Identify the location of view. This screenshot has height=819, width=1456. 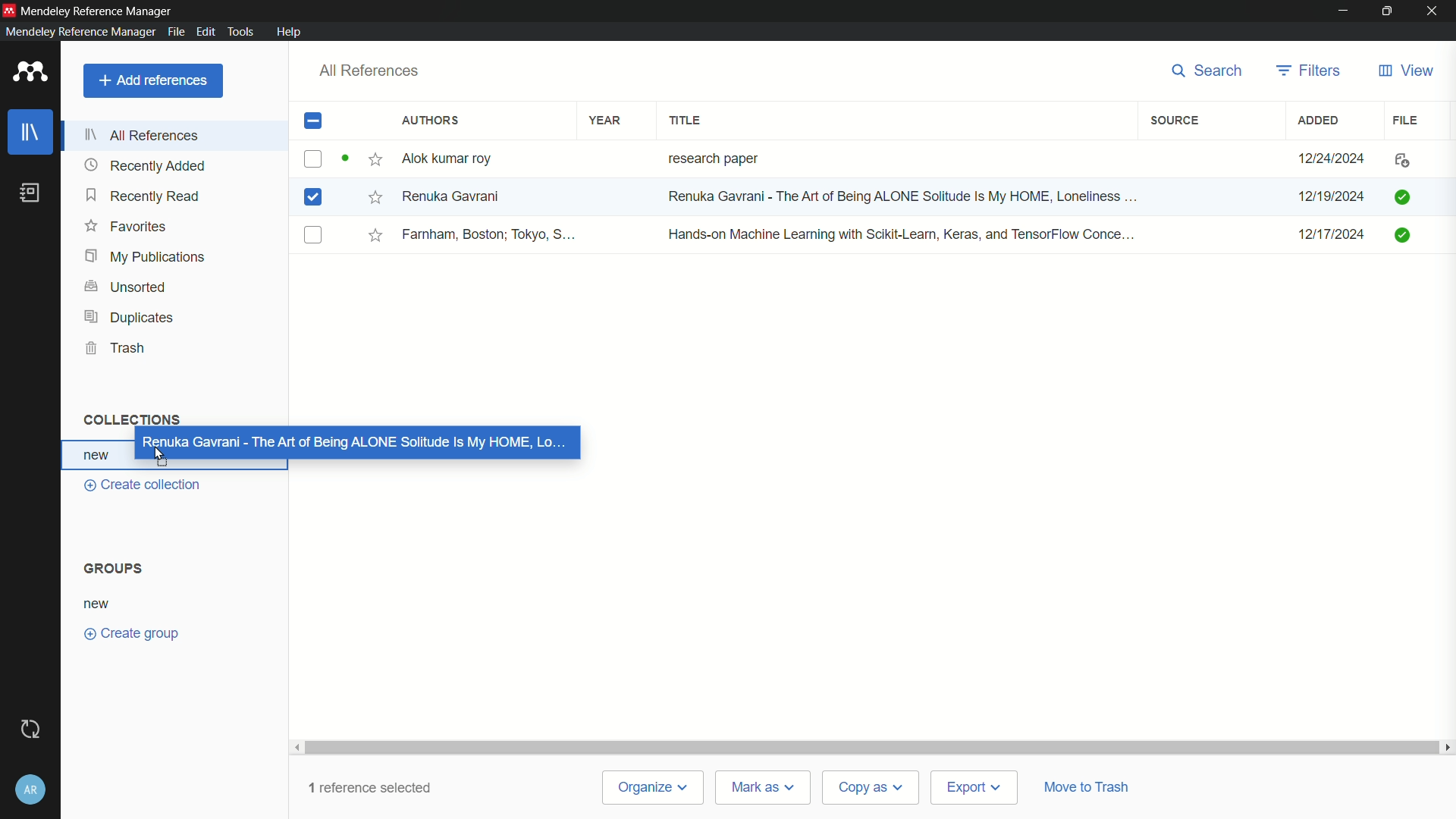
(1407, 71).